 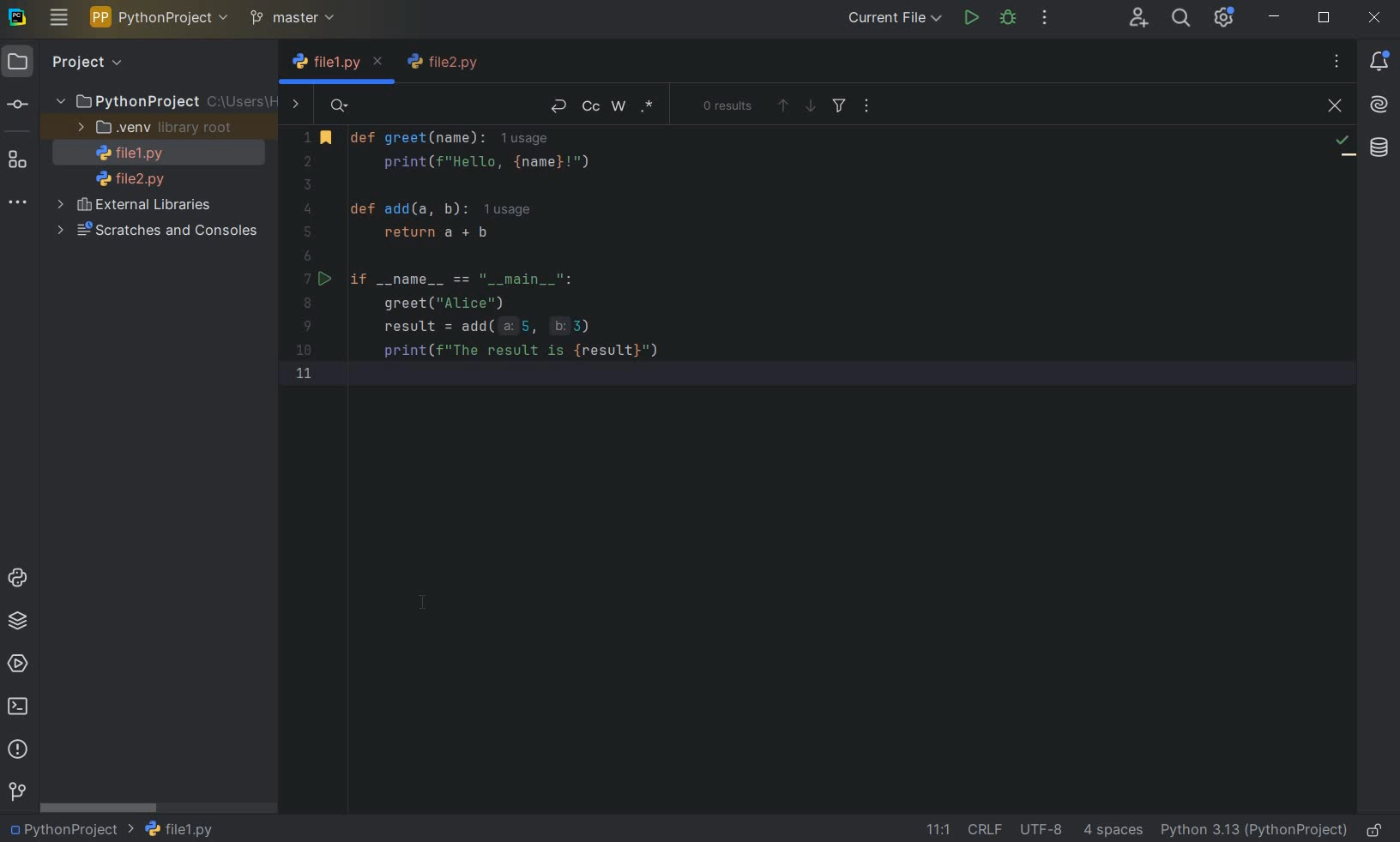 What do you see at coordinates (17, 105) in the screenshot?
I see `COMMIT` at bounding box center [17, 105].